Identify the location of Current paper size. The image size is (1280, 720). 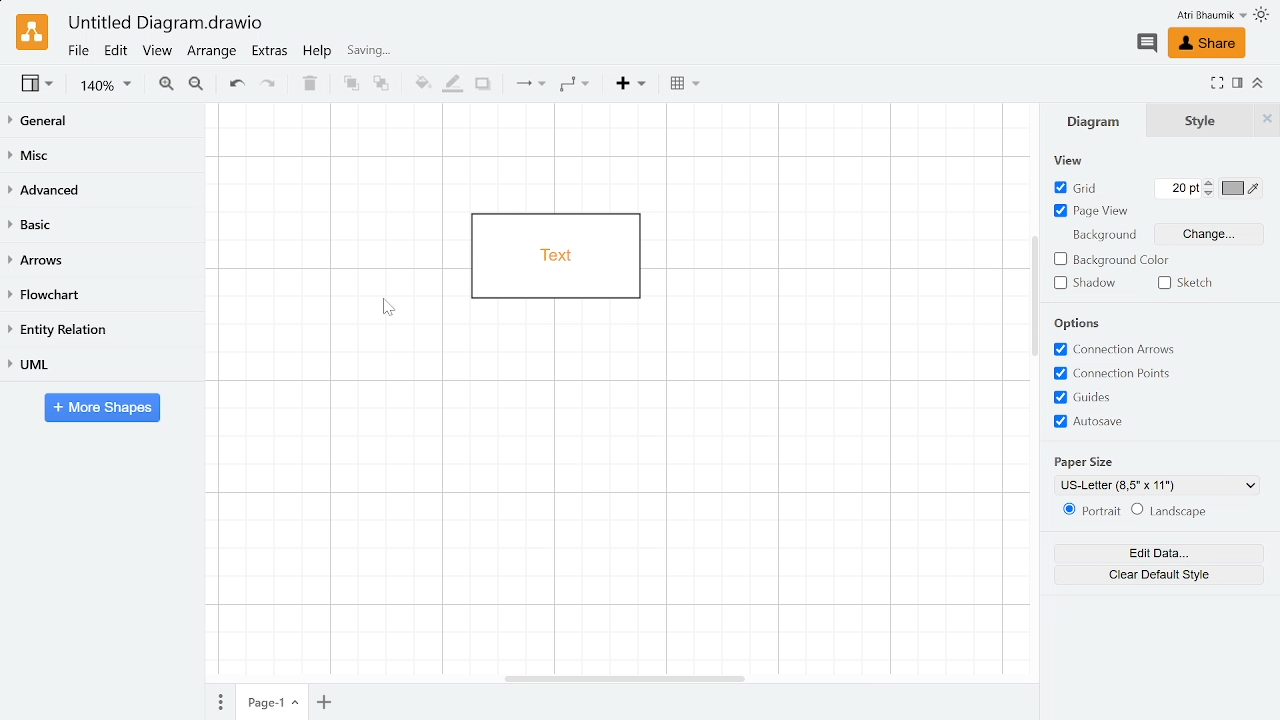
(1157, 485).